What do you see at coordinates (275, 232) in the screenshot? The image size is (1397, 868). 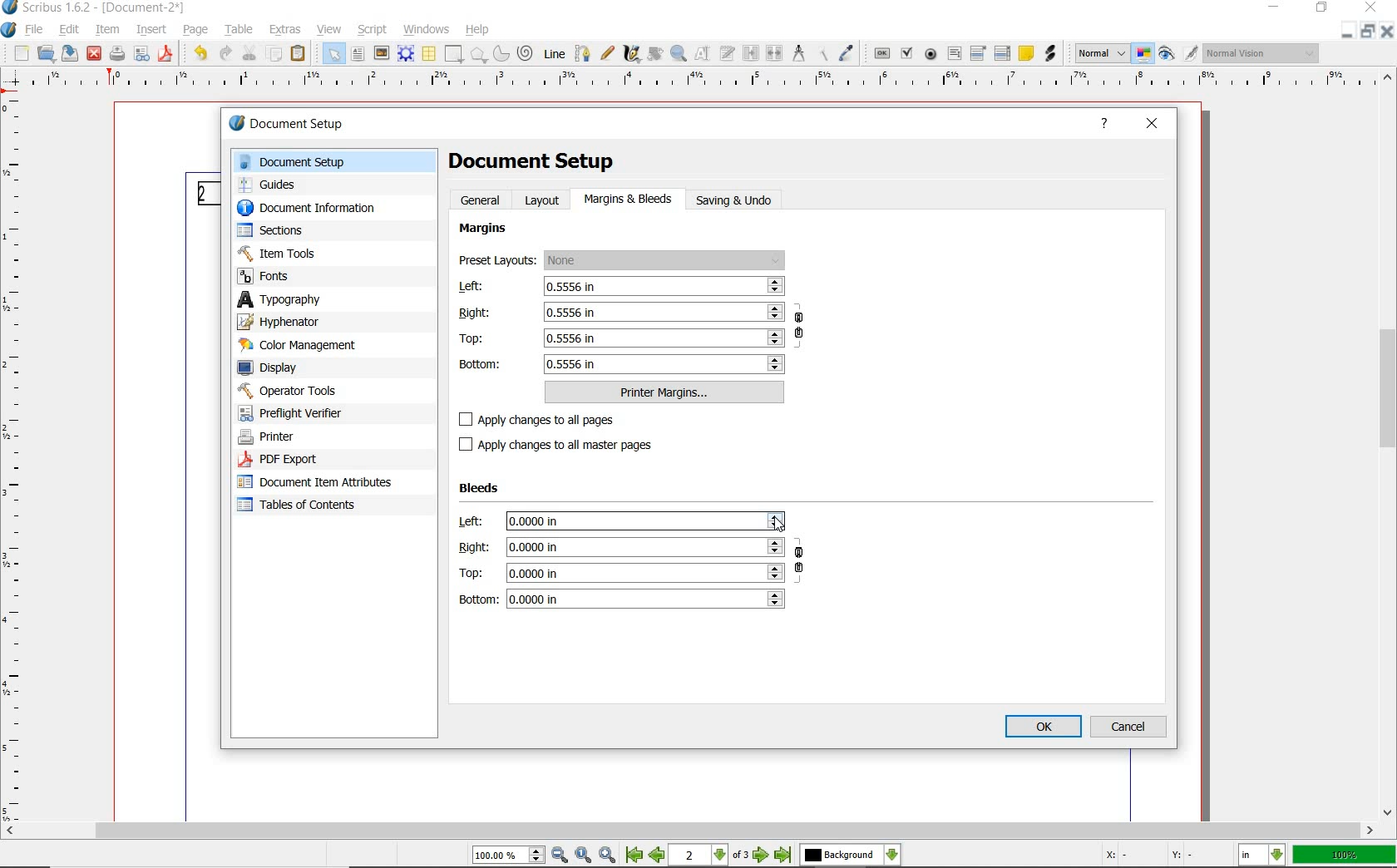 I see `sectors` at bounding box center [275, 232].